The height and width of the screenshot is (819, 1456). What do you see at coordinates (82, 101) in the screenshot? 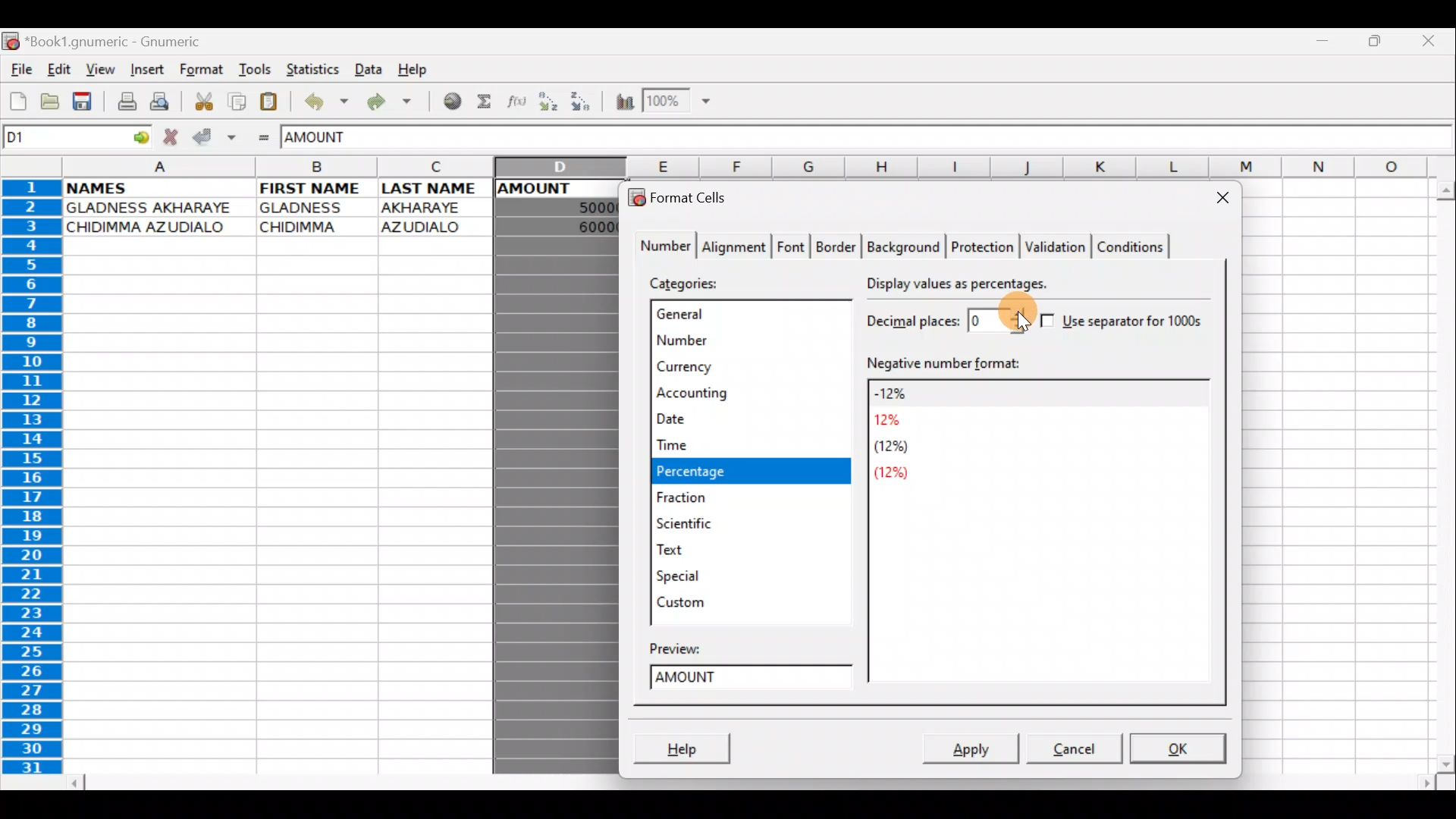
I see `Save current workbook` at bounding box center [82, 101].